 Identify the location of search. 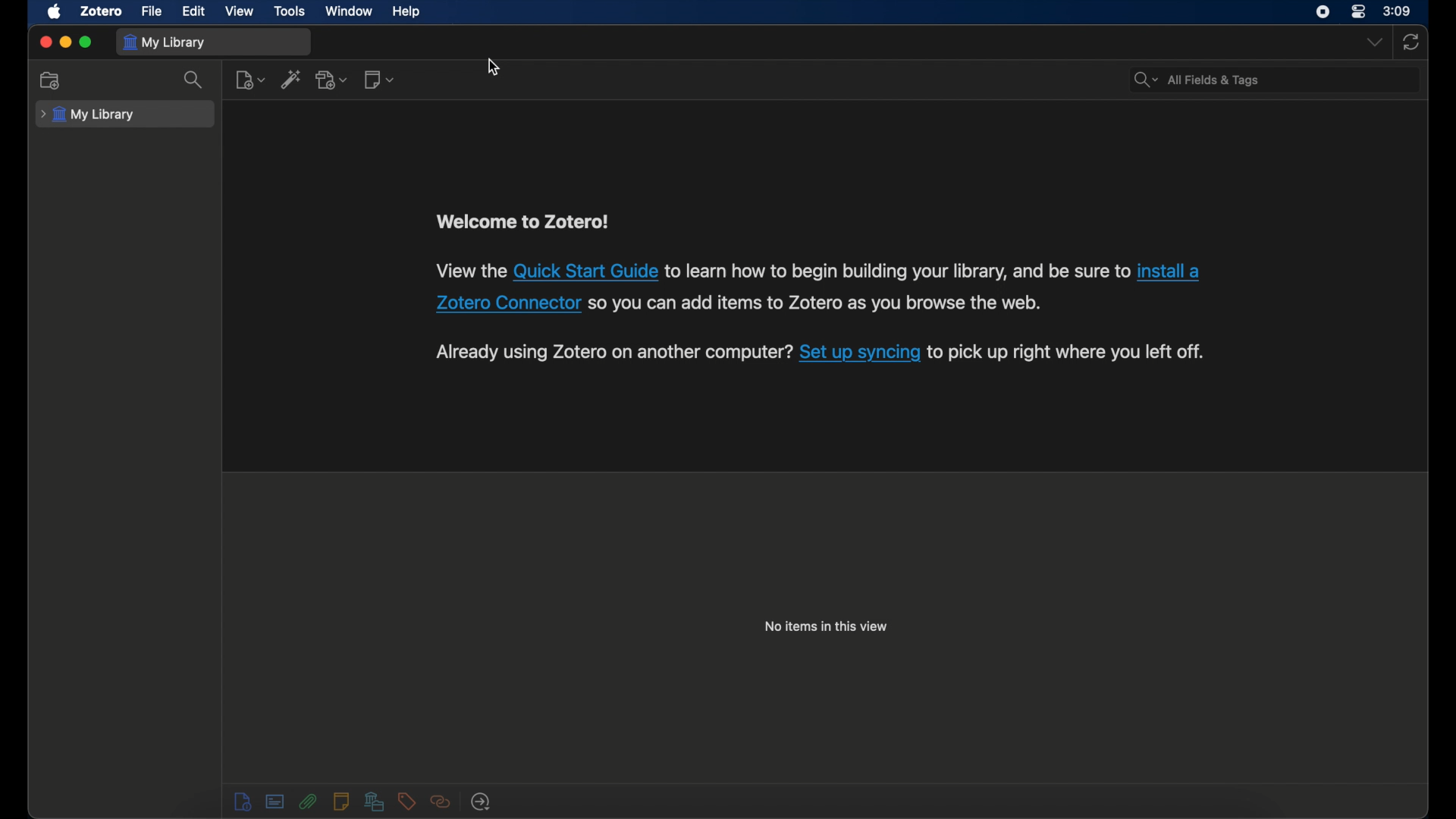
(1276, 80).